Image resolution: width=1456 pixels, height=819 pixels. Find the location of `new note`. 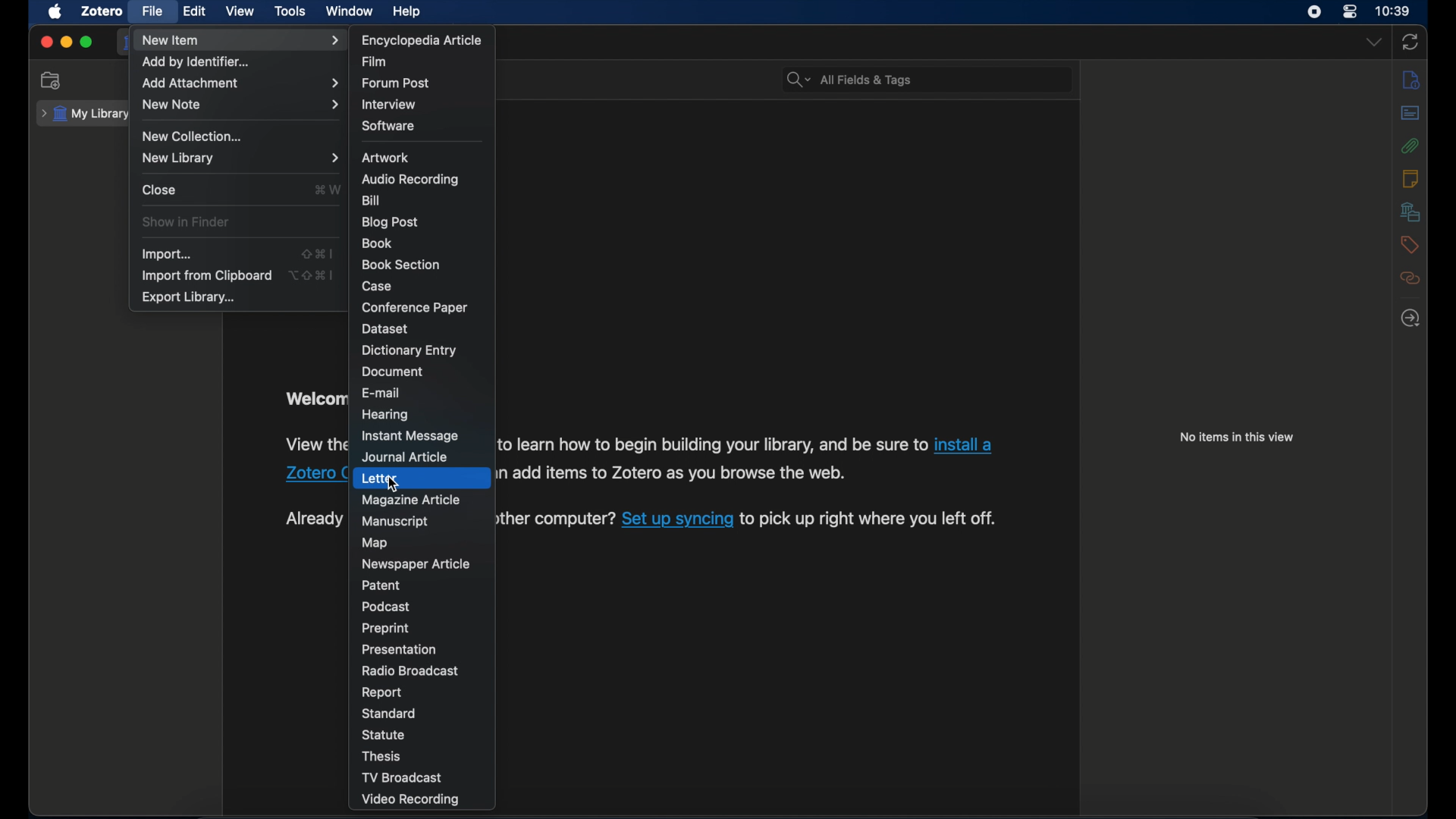

new note is located at coordinates (240, 104).